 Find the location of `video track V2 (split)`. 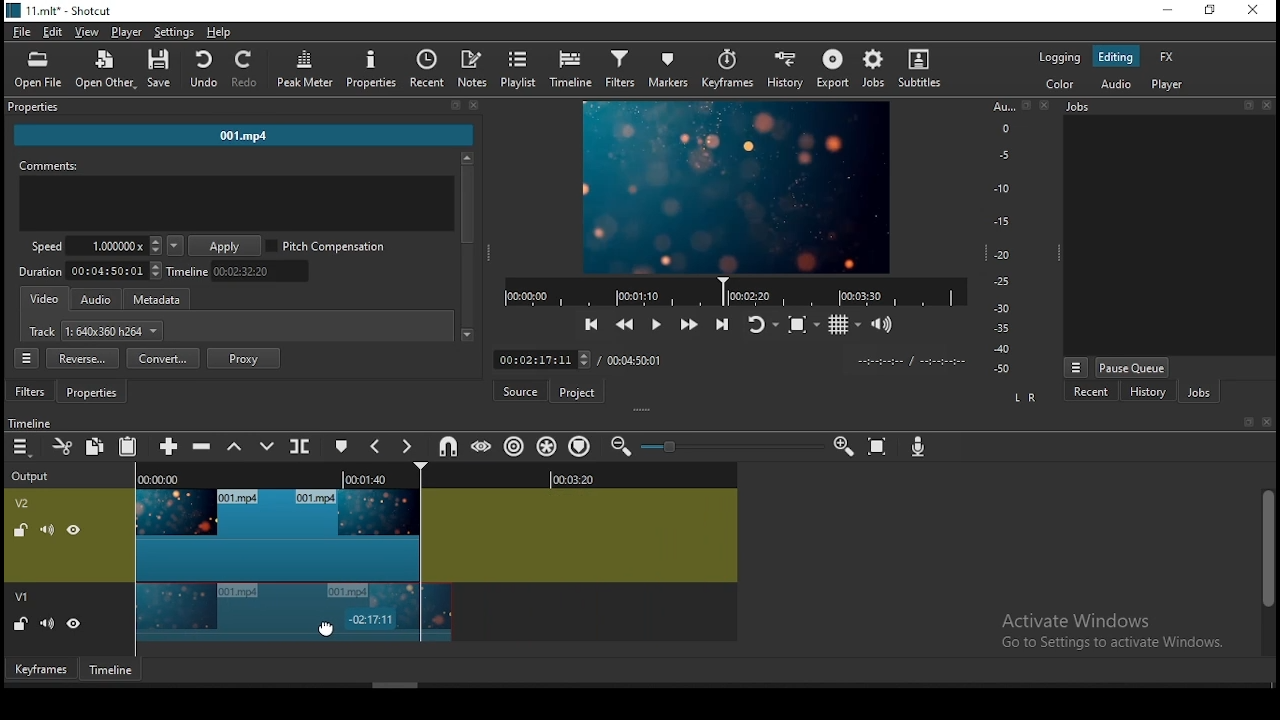

video track V2 (split) is located at coordinates (292, 613).